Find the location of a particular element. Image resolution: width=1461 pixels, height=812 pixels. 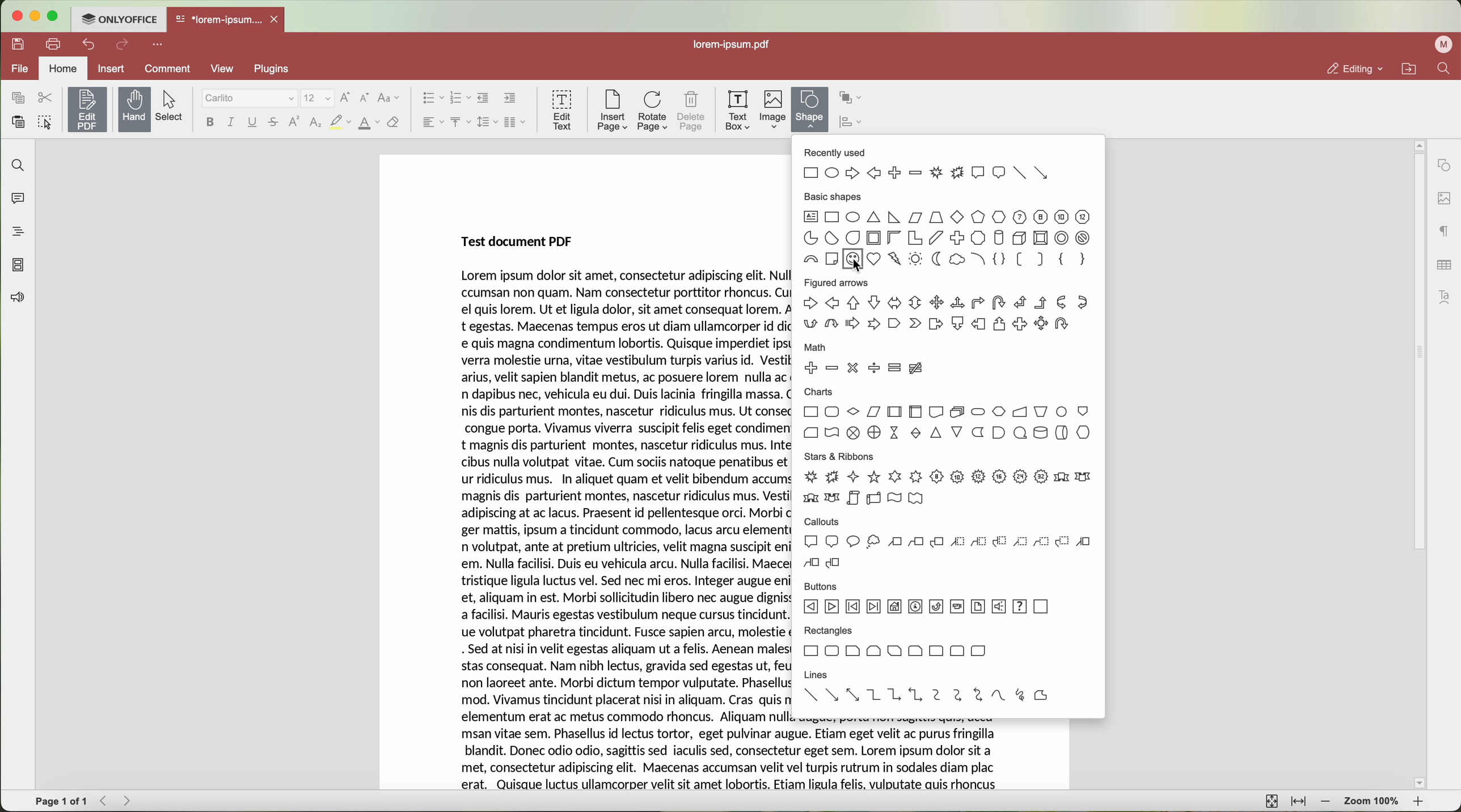

headings is located at coordinates (17, 232).